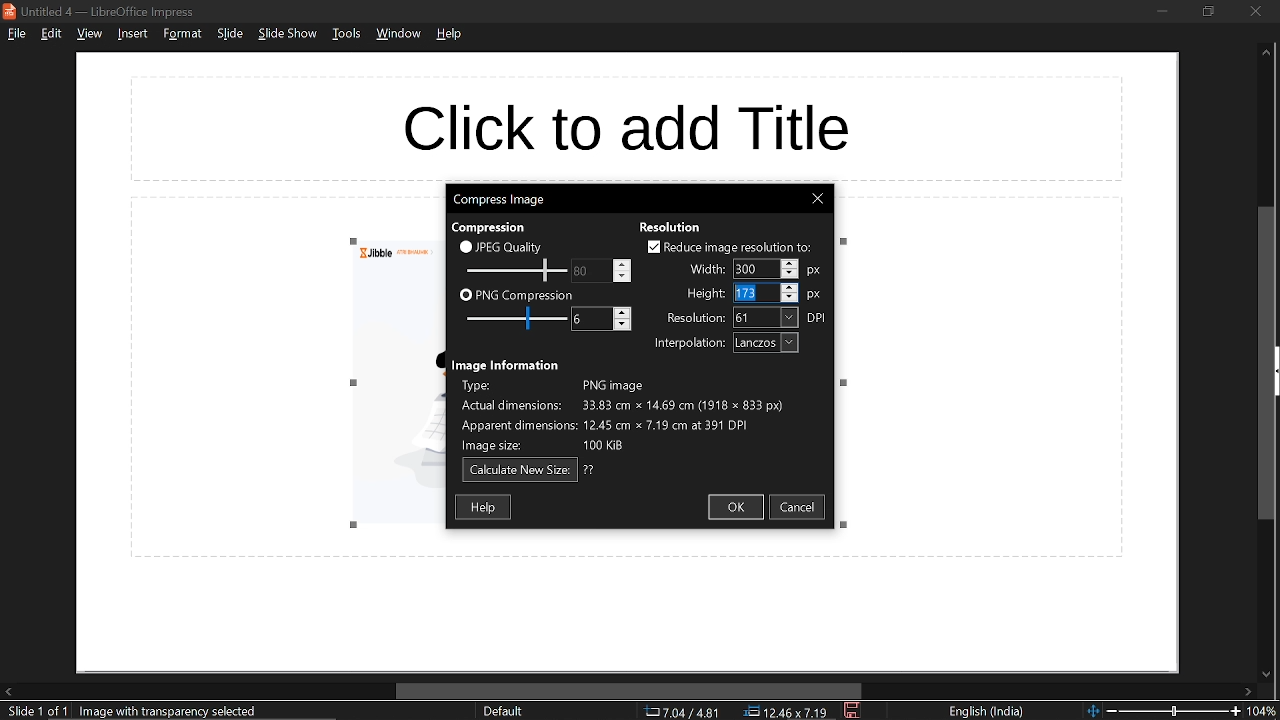 Image resolution: width=1280 pixels, height=720 pixels. Describe the element at coordinates (738, 508) in the screenshot. I see `ok` at that location.